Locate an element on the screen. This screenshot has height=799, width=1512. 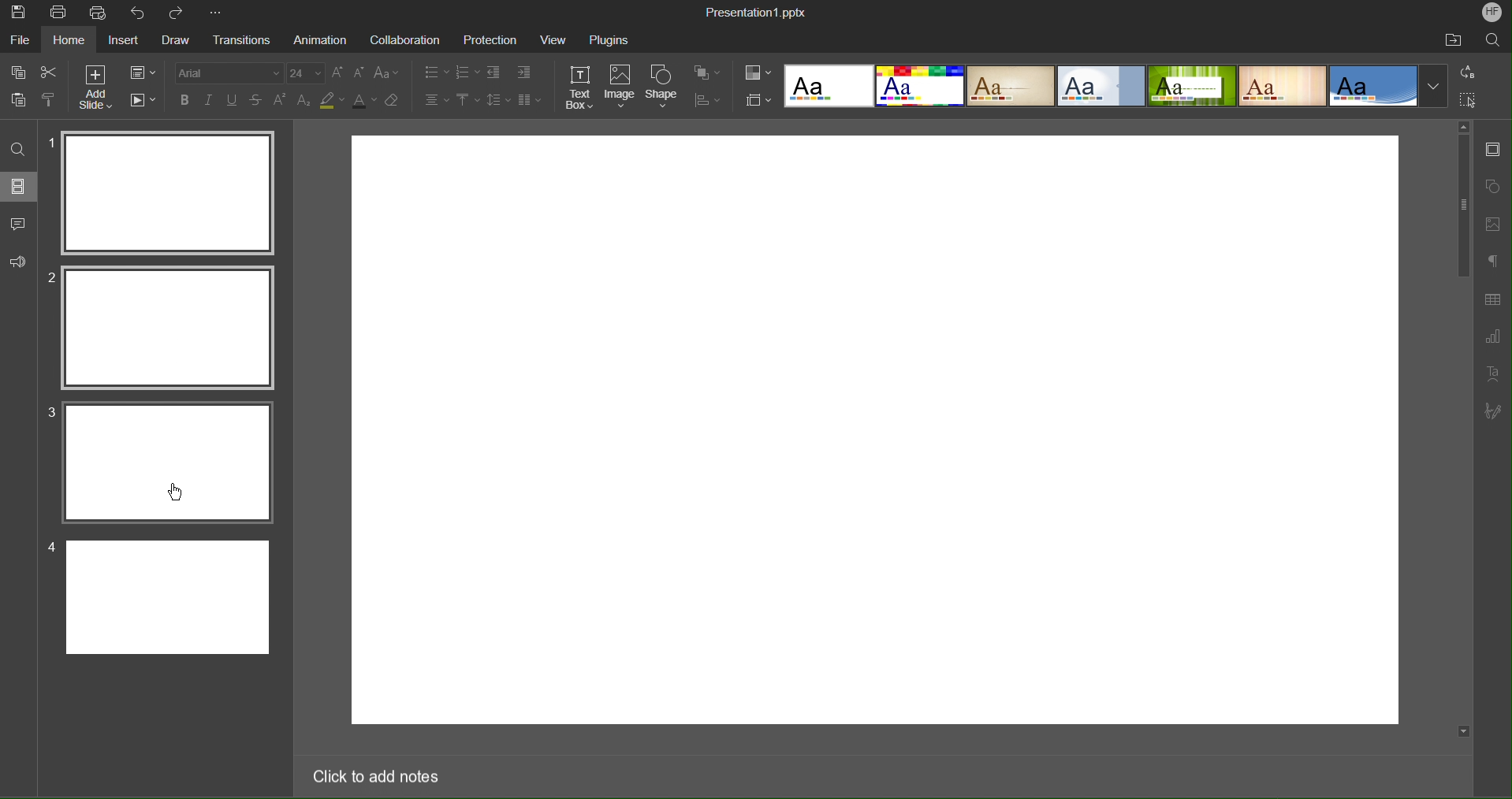
scroll up is located at coordinates (1463, 125).